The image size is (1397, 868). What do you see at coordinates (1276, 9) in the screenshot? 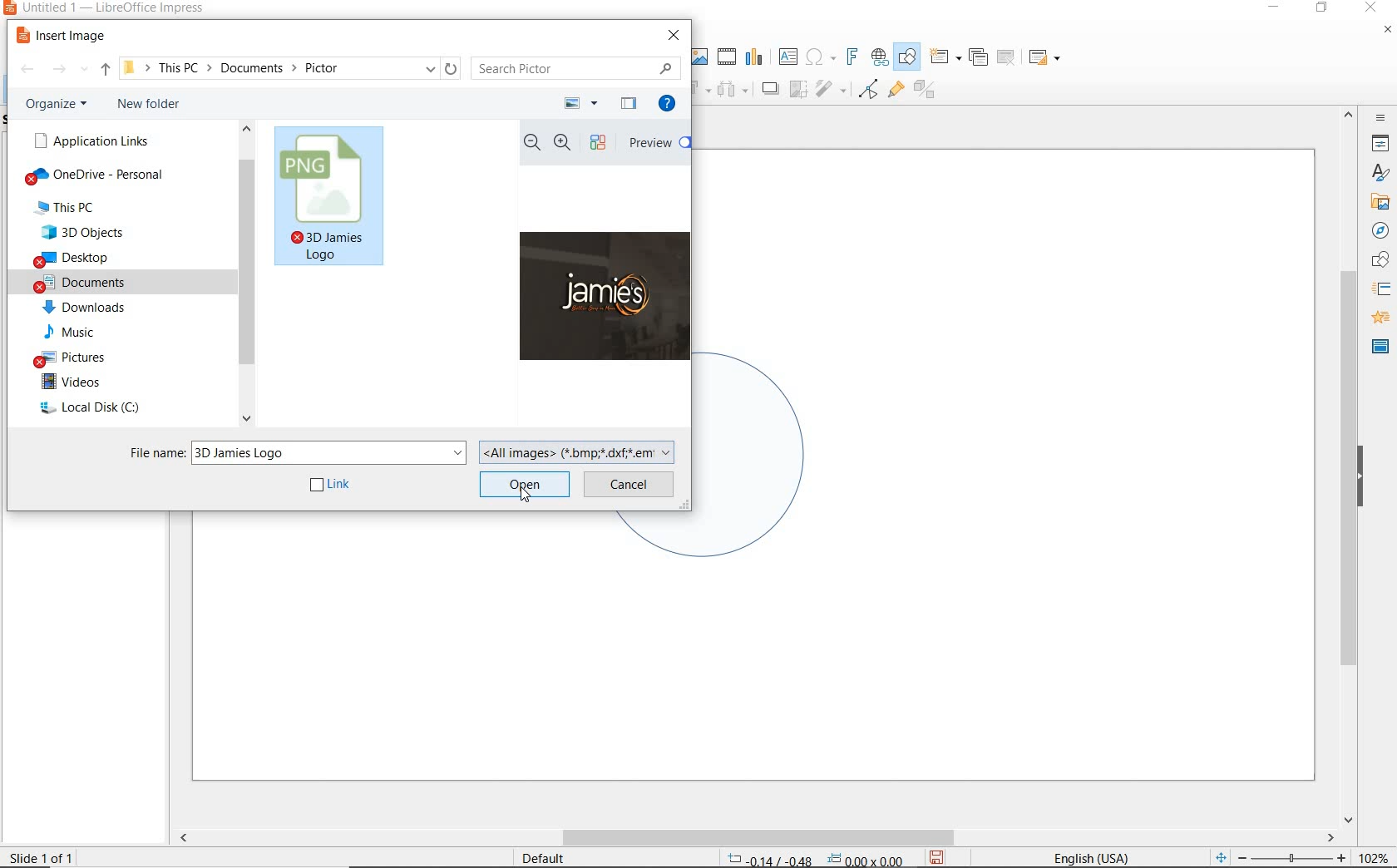
I see `minimize` at bounding box center [1276, 9].